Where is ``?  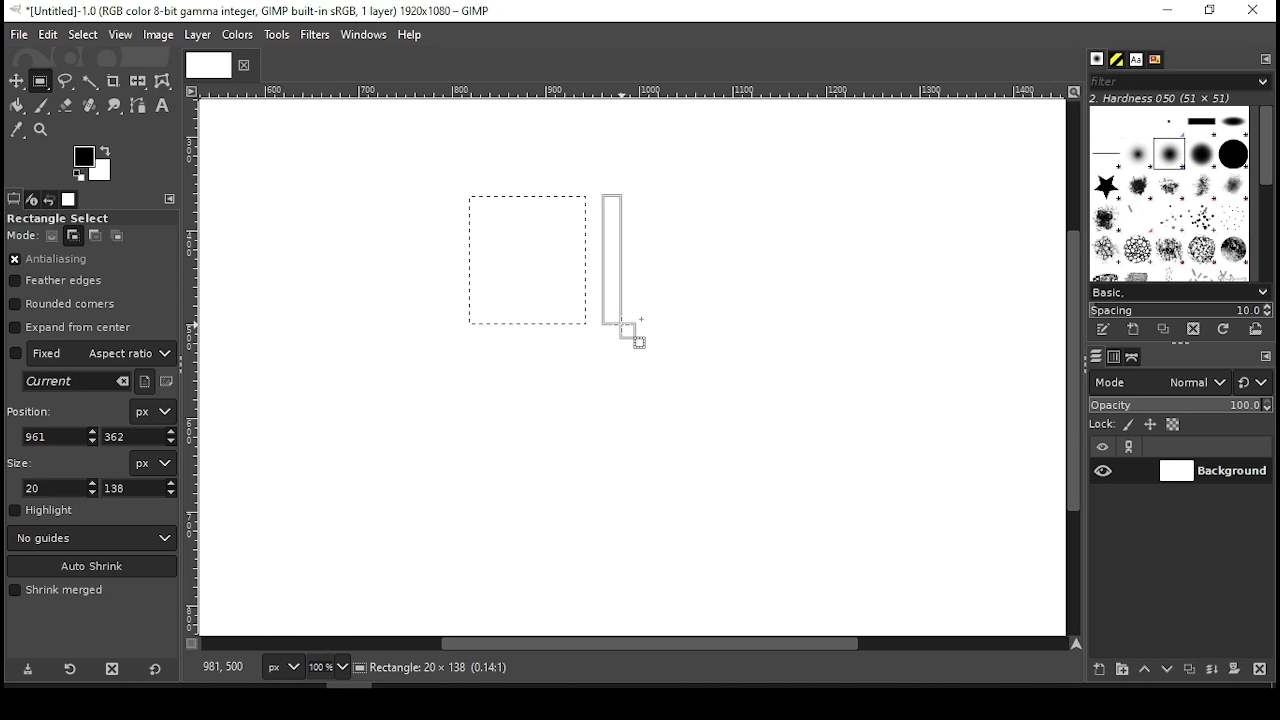
 is located at coordinates (205, 64).